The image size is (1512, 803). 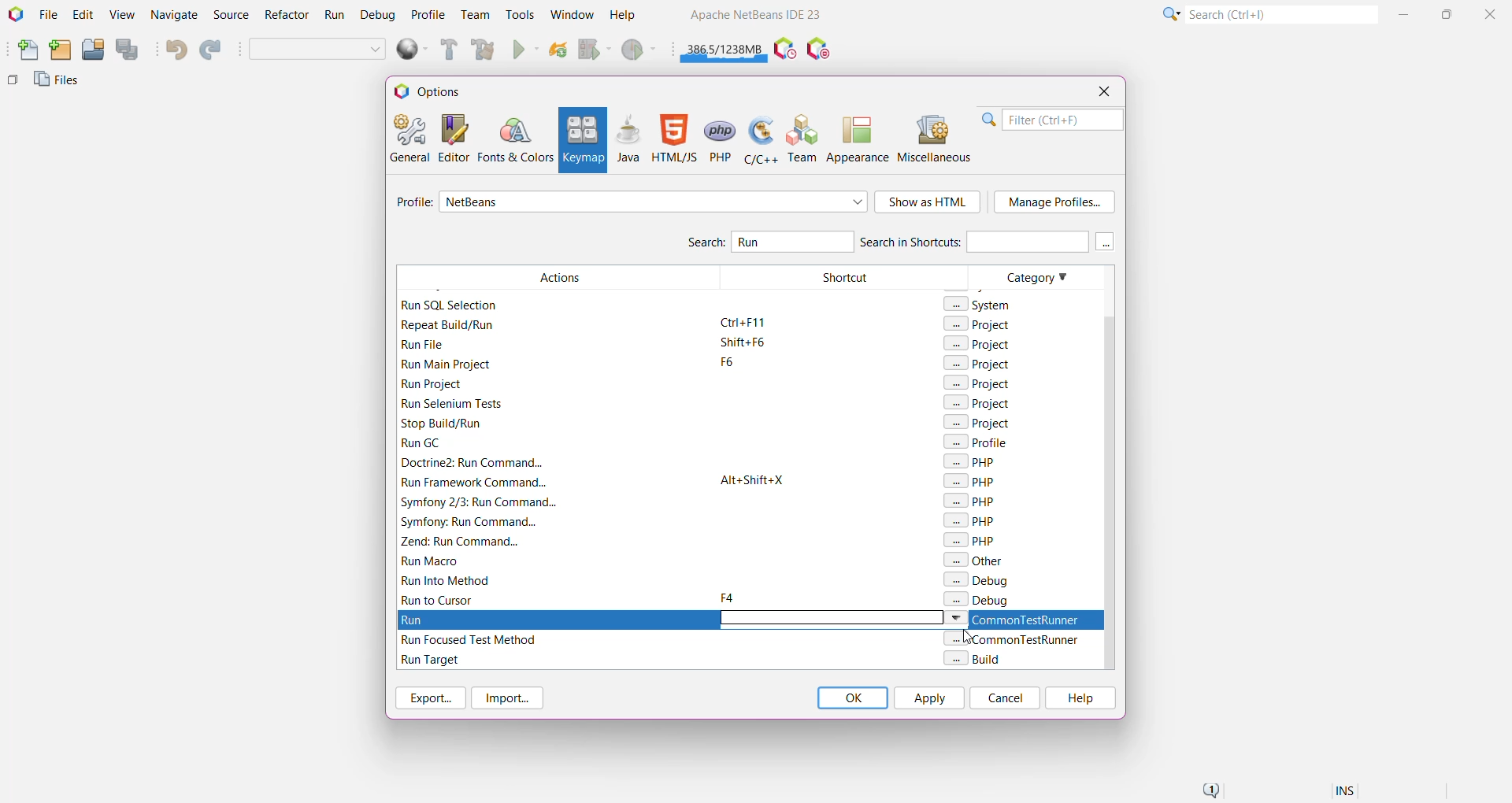 What do you see at coordinates (793, 241) in the screenshot?
I see `Type and Search for 'Run' Action` at bounding box center [793, 241].